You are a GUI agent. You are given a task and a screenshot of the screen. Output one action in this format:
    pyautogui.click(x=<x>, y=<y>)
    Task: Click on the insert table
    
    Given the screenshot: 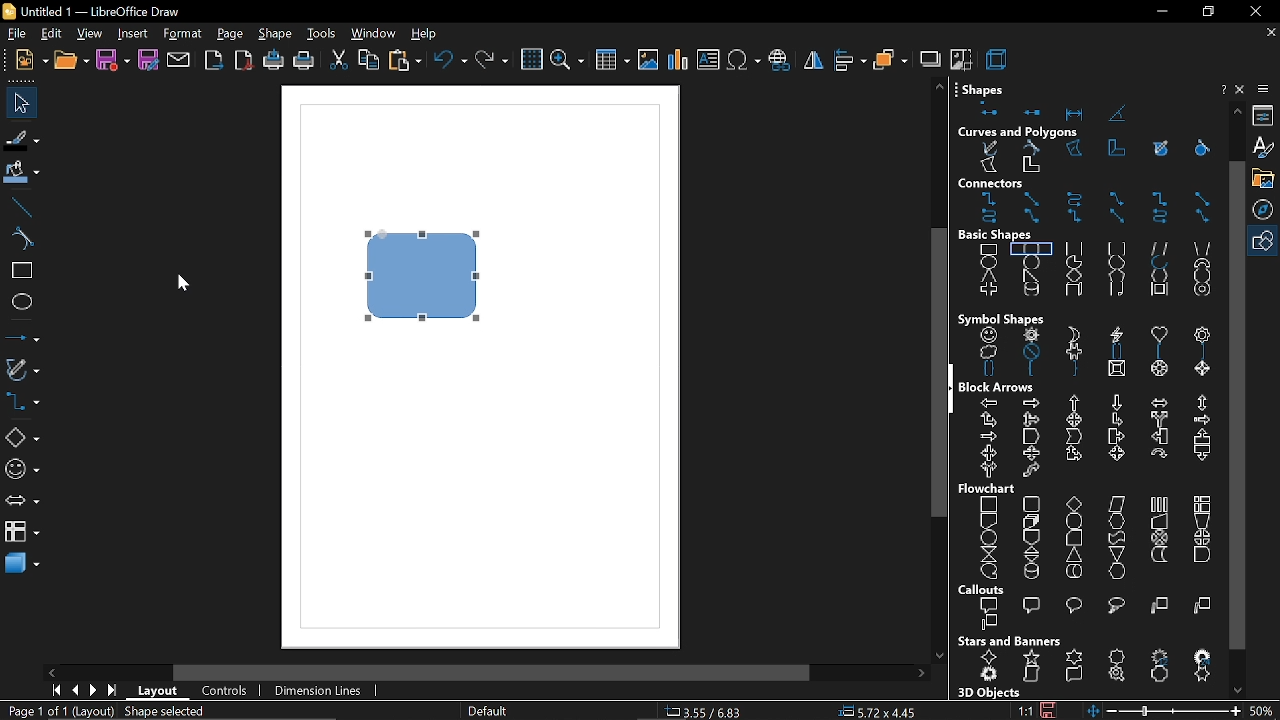 What is the action you would take?
    pyautogui.click(x=613, y=63)
    